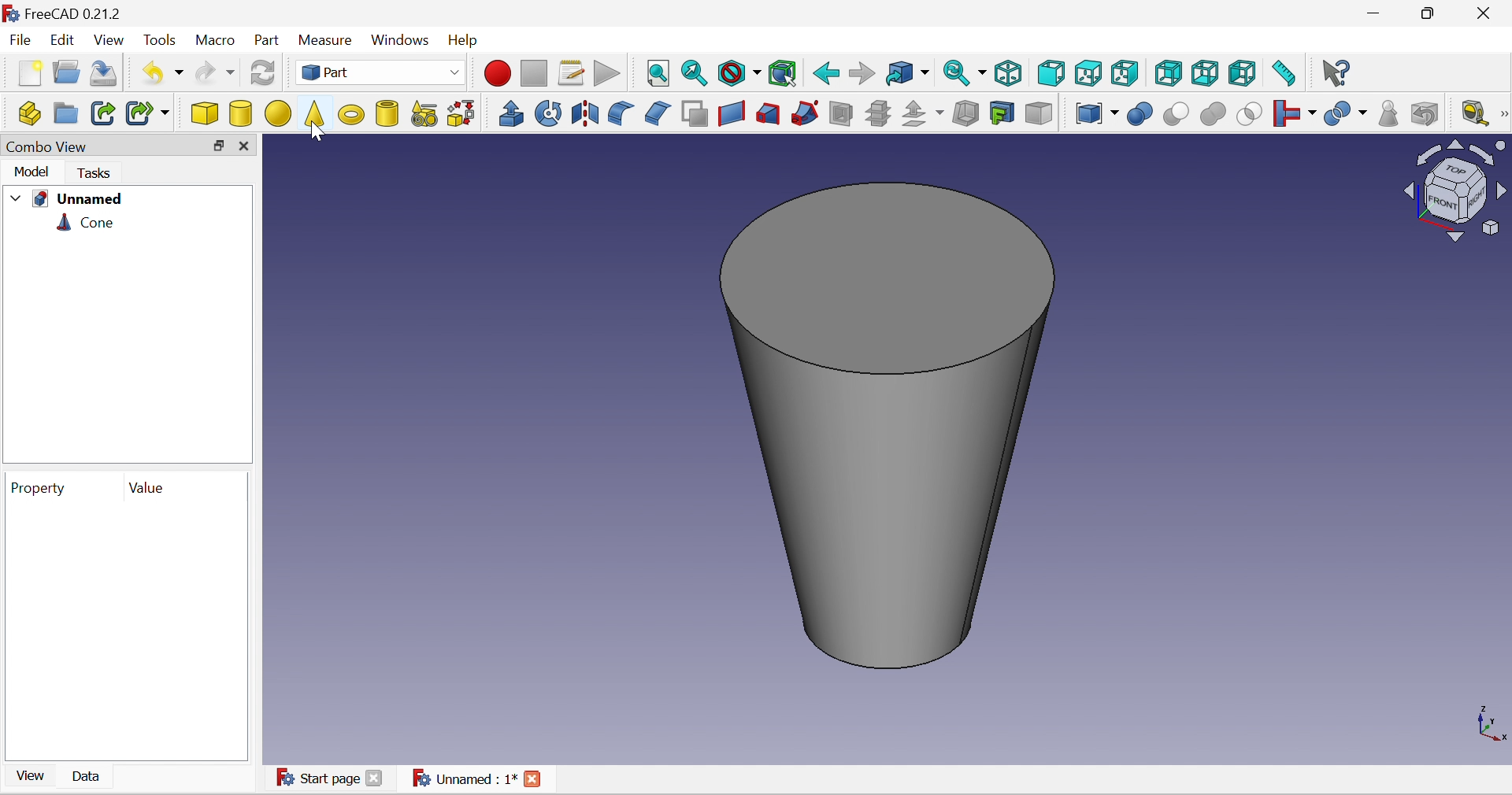 The height and width of the screenshot is (795, 1512). What do you see at coordinates (69, 15) in the screenshot?
I see `FreeCAD 0.21.2` at bounding box center [69, 15].